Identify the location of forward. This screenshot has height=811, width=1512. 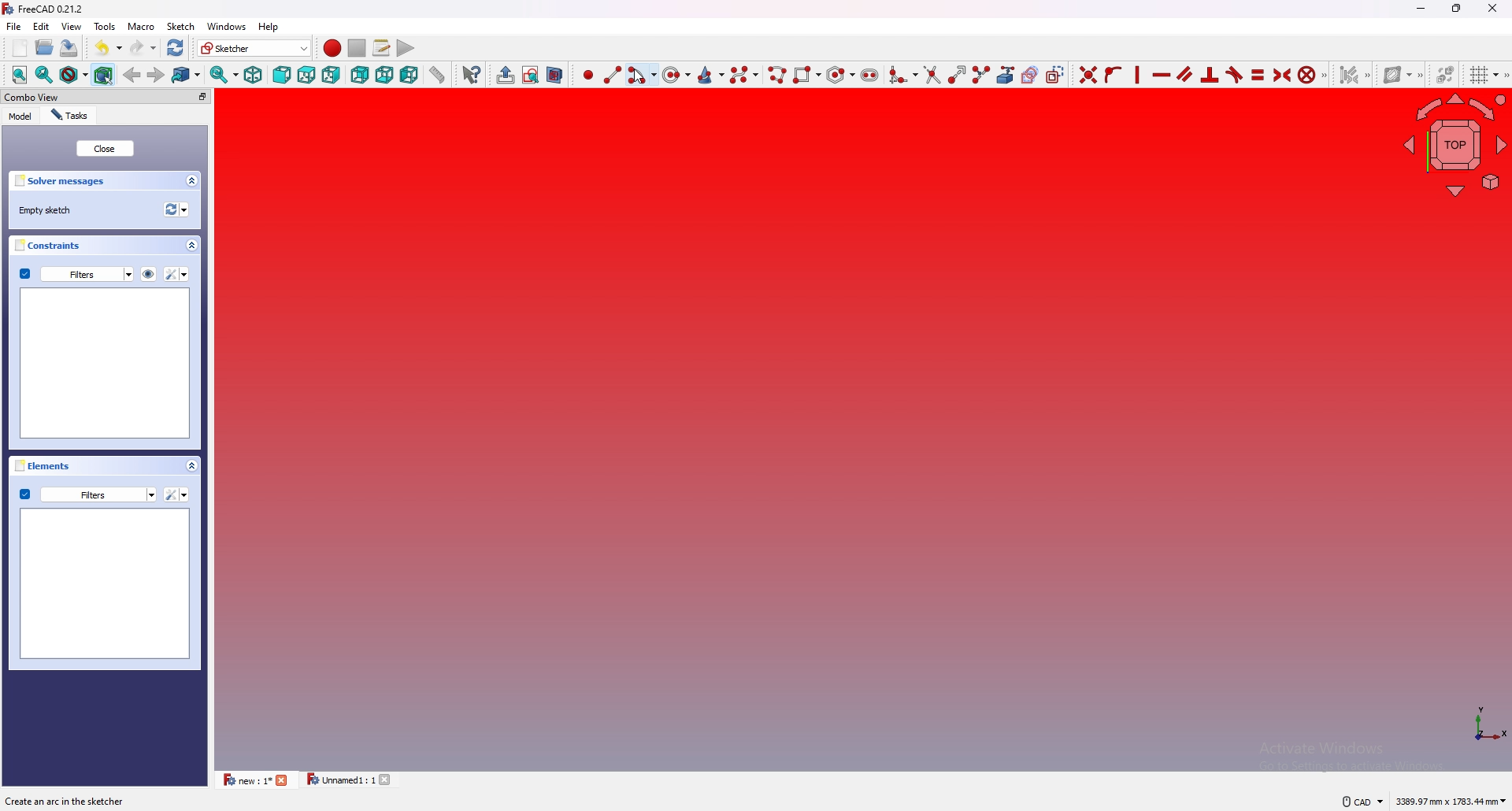
(157, 74).